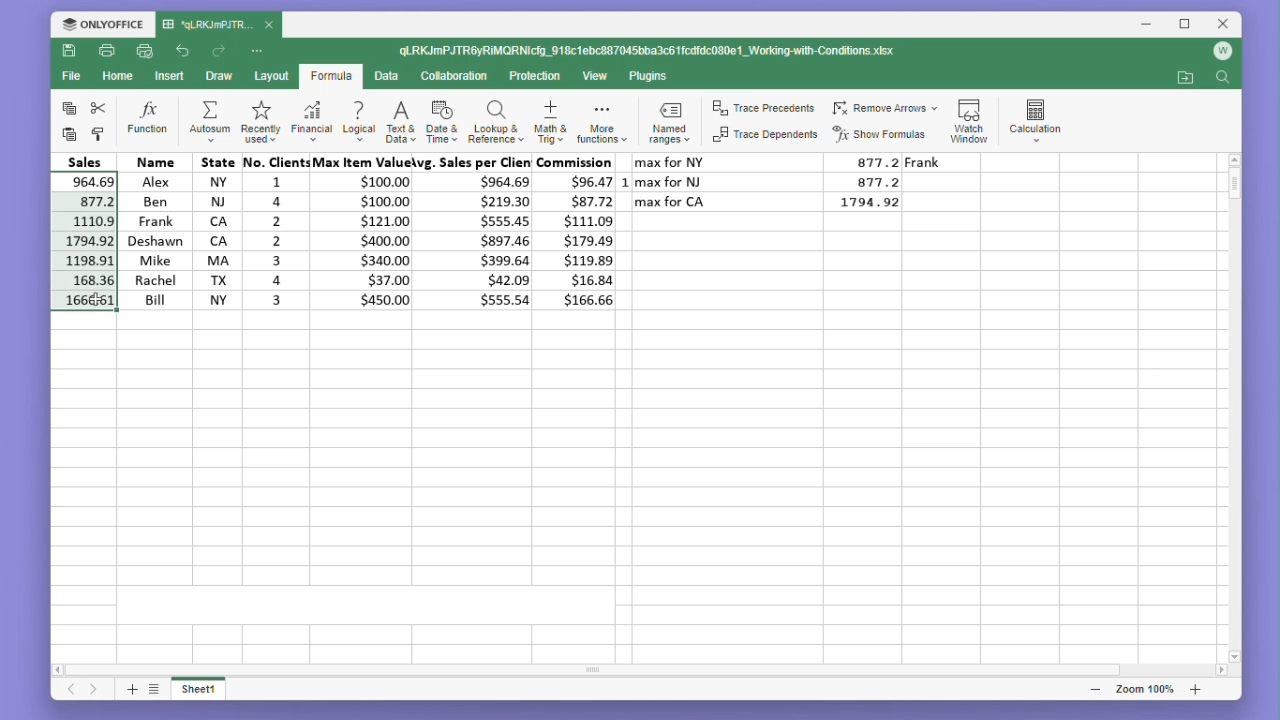 This screenshot has height=720, width=1280. I want to click on Empty cells, so click(628, 481).